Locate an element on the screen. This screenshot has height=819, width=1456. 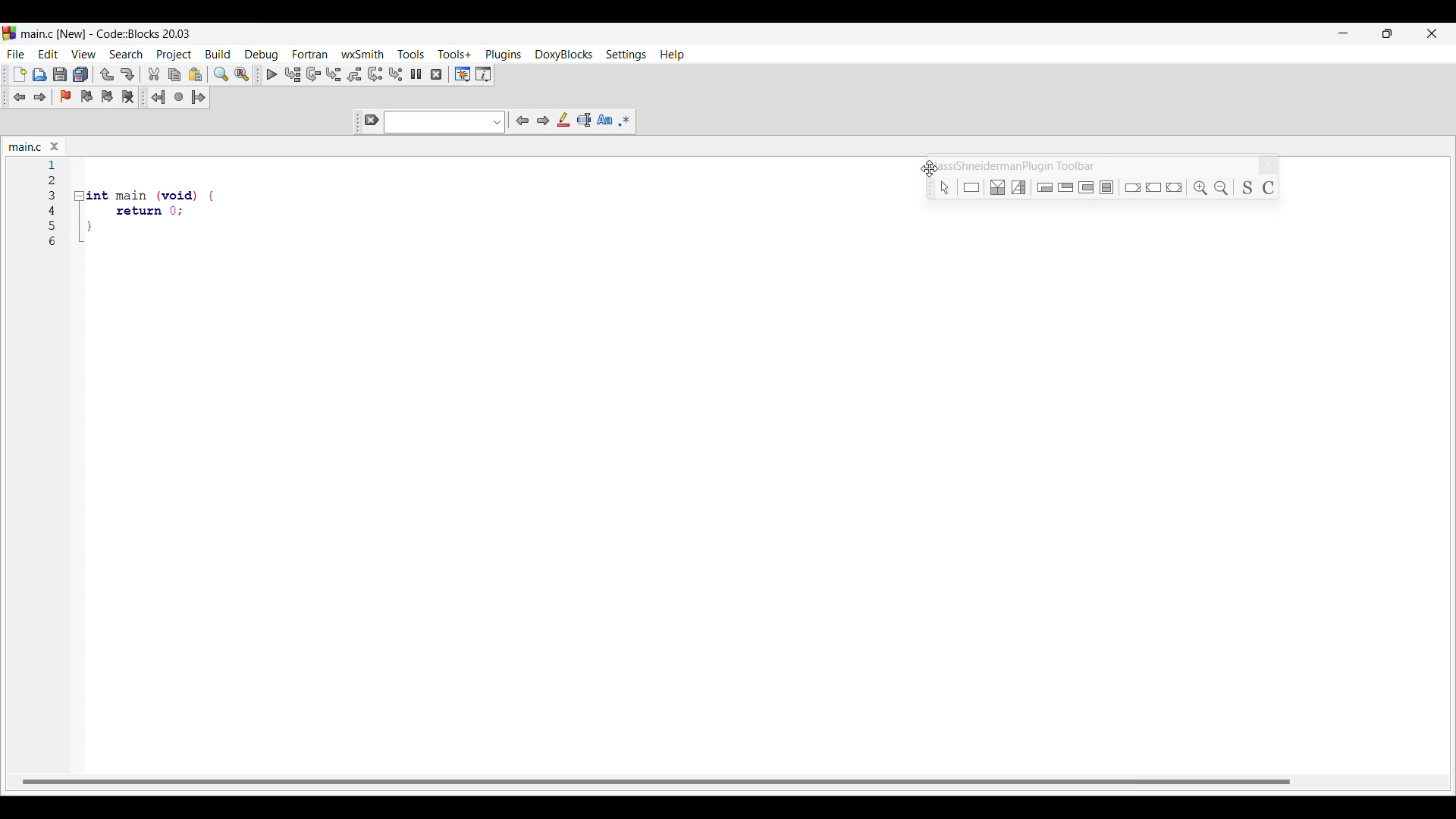
 is located at coordinates (973, 187).